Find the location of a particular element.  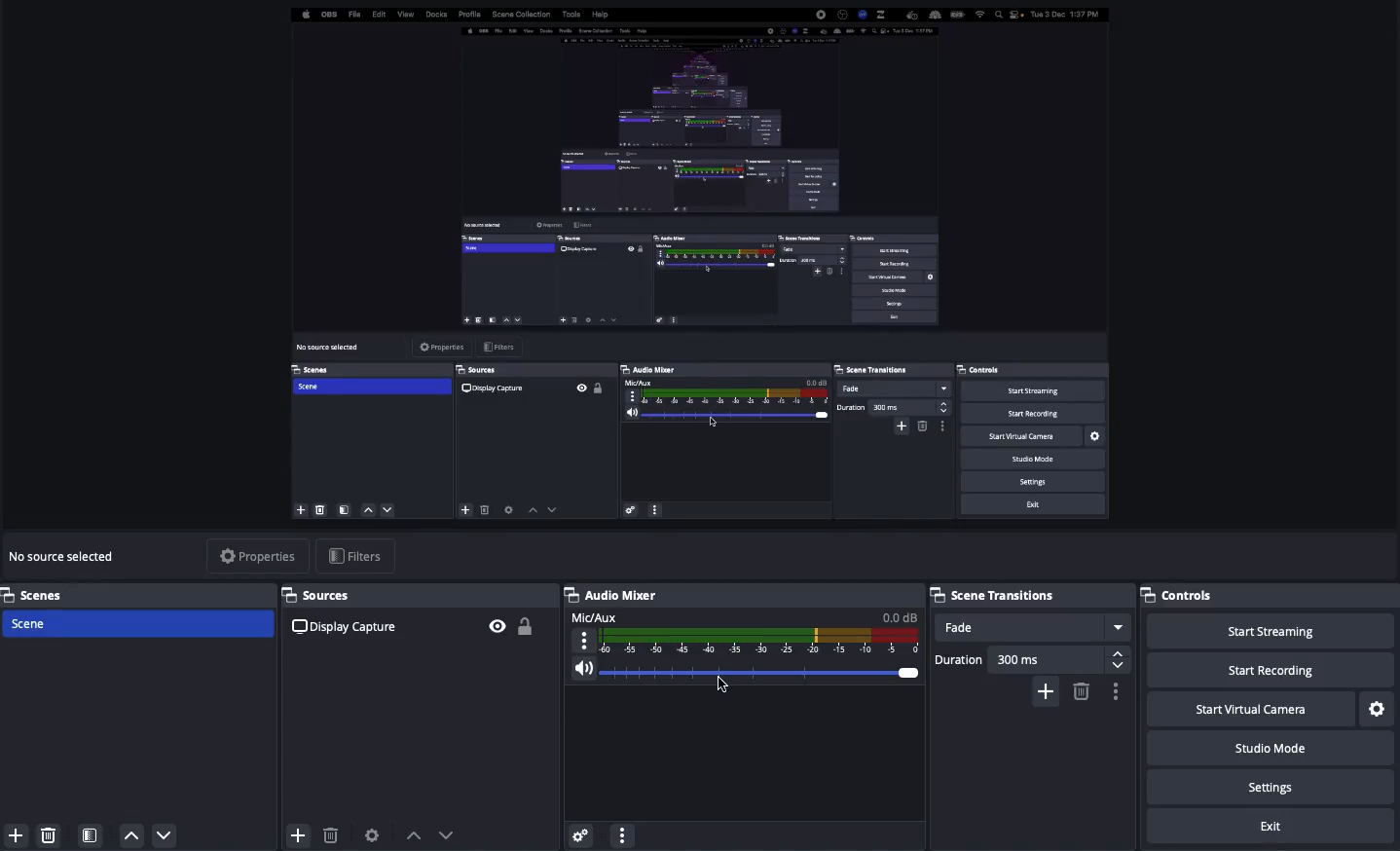

Advanced audio preferences is located at coordinates (581, 837).